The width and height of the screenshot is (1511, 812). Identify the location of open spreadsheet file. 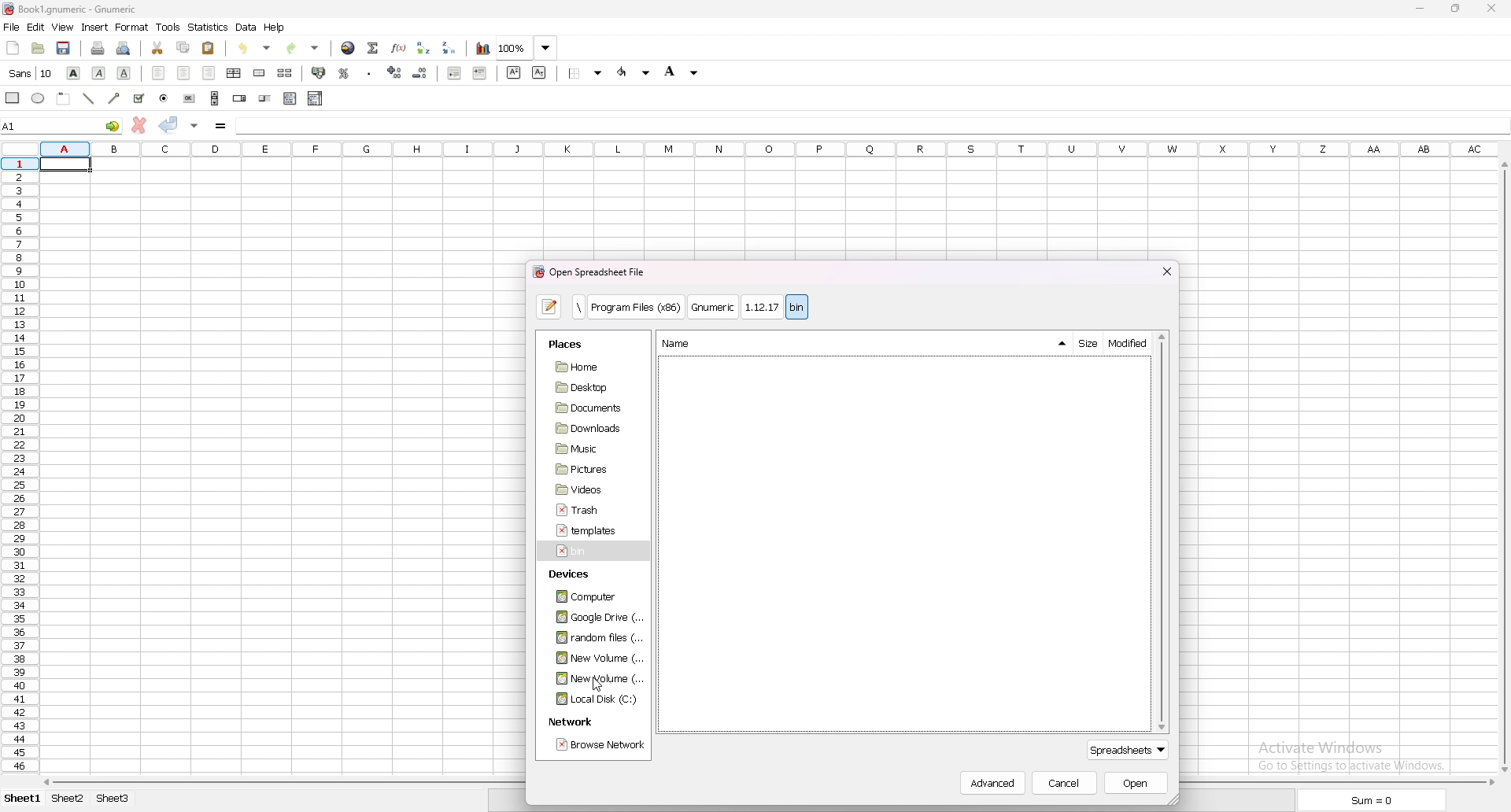
(590, 272).